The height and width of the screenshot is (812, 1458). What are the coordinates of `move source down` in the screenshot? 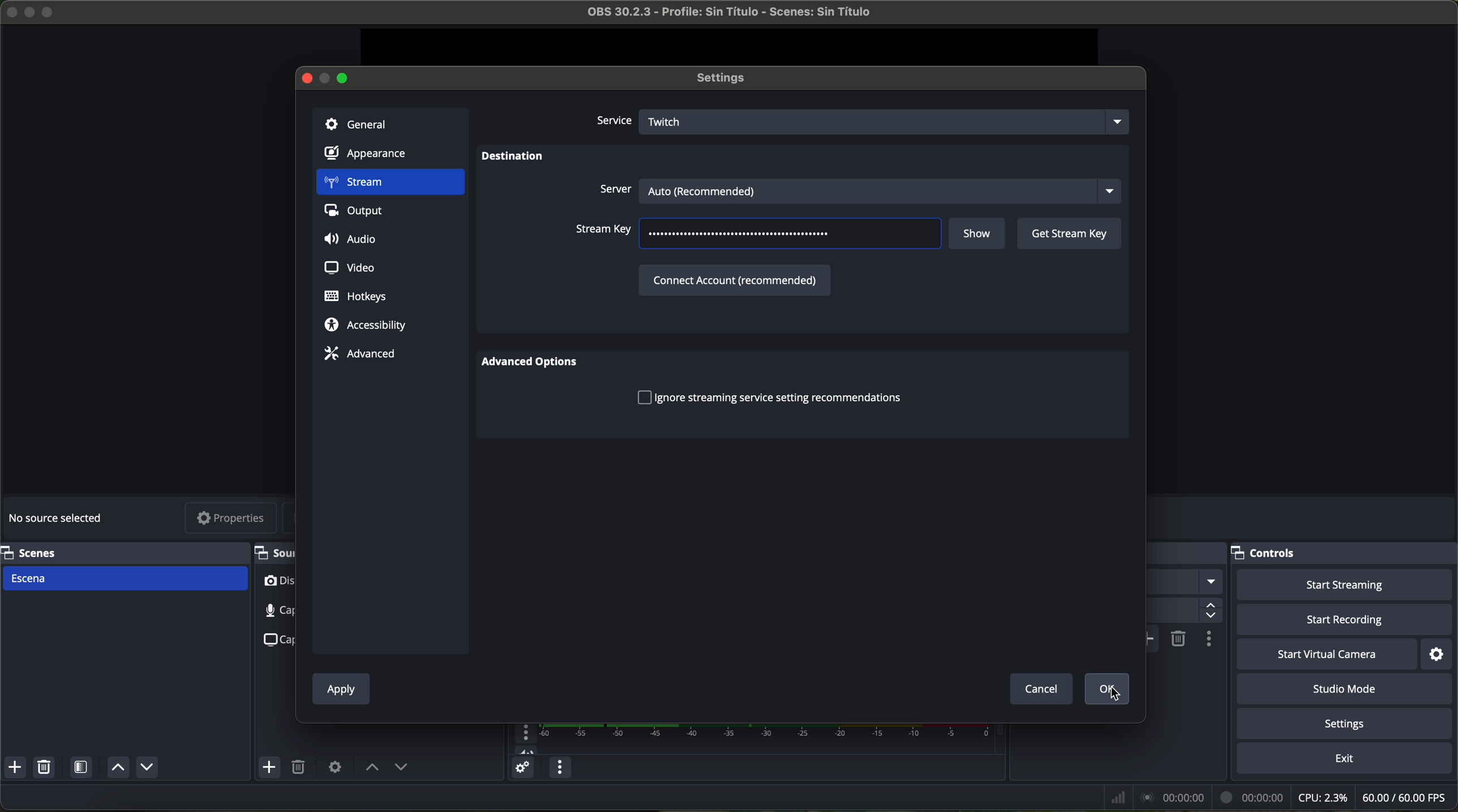 It's located at (401, 768).